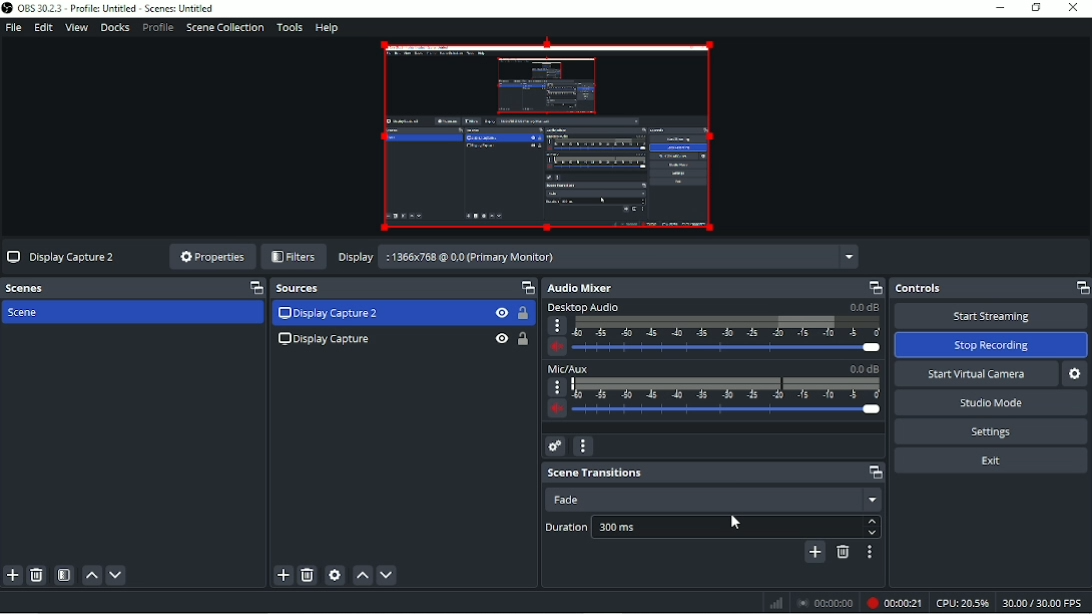 This screenshot has height=614, width=1092. What do you see at coordinates (992, 345) in the screenshot?
I see `Stop recording` at bounding box center [992, 345].